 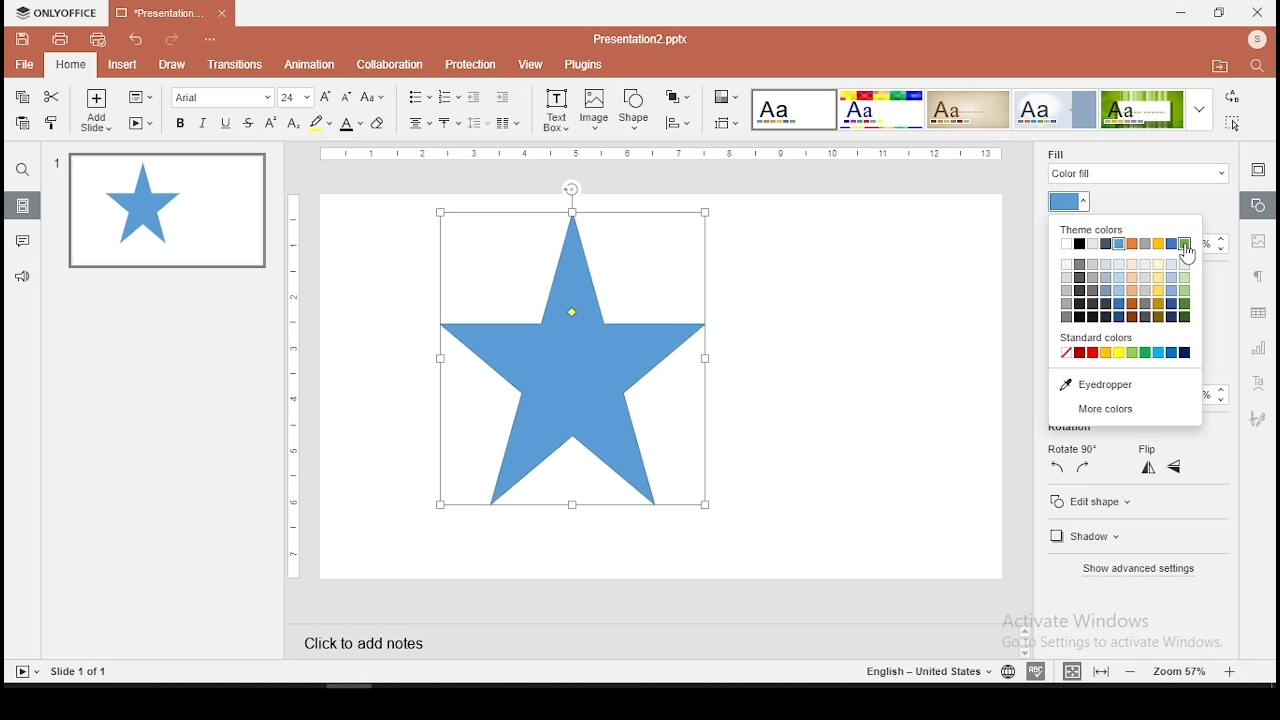 I want to click on paragraph settings, so click(x=1257, y=275).